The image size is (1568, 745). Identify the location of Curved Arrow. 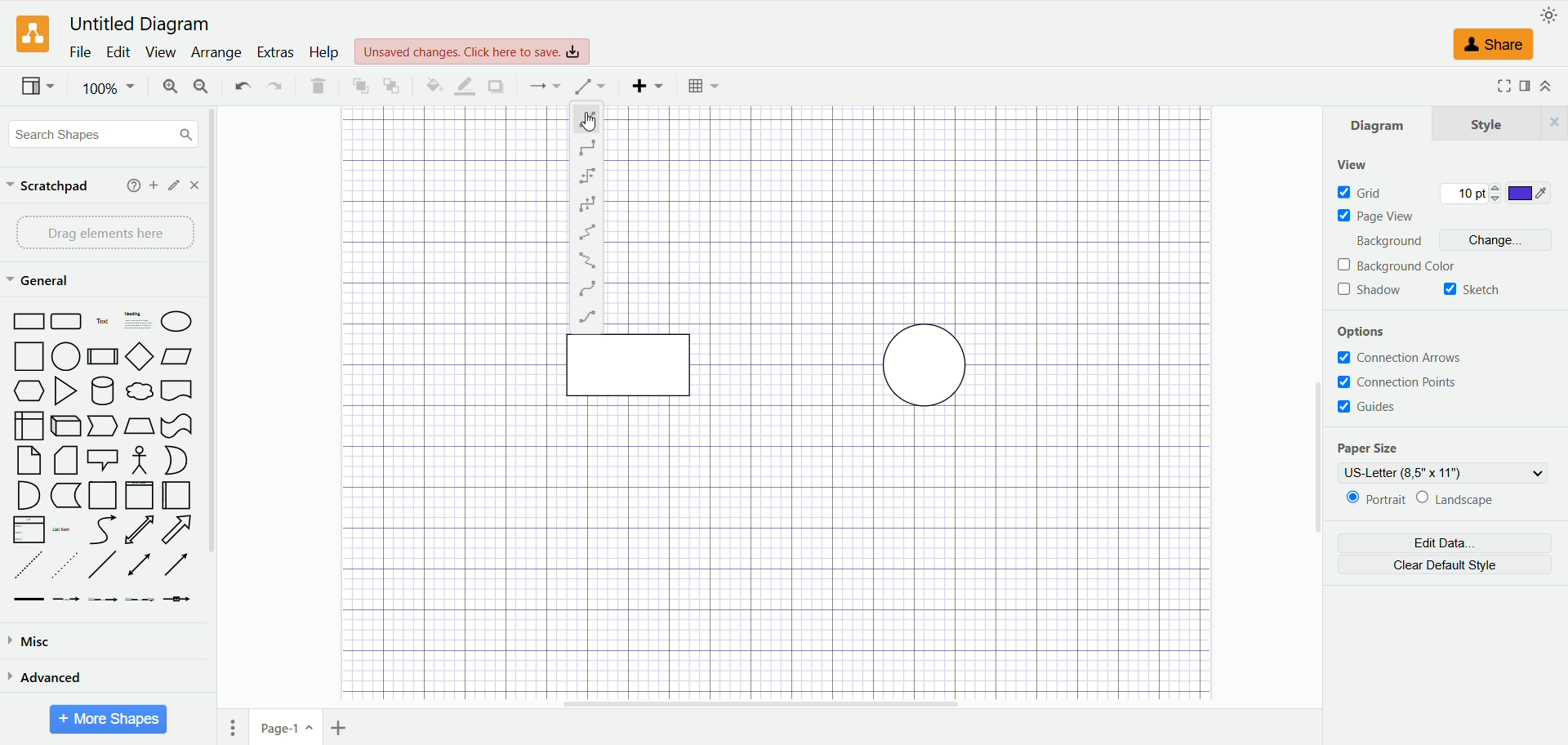
(105, 531).